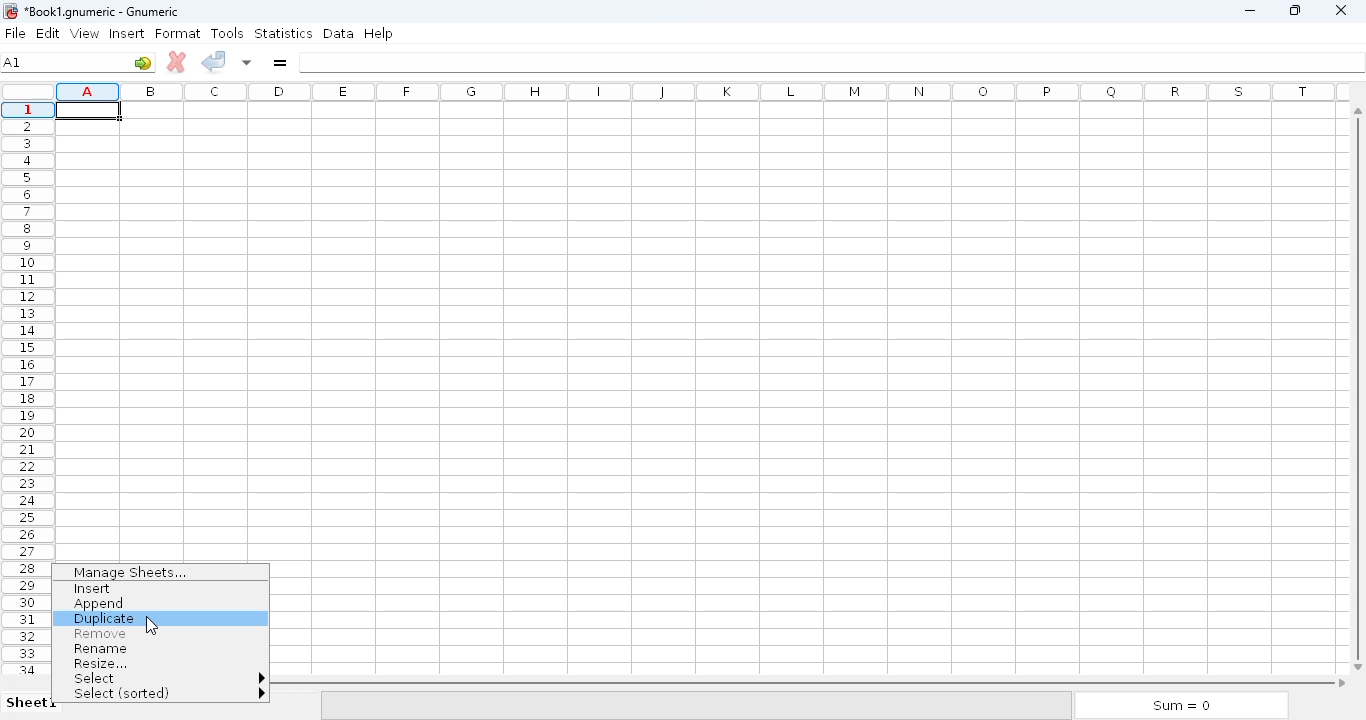  I want to click on select (sorted), so click(169, 694).